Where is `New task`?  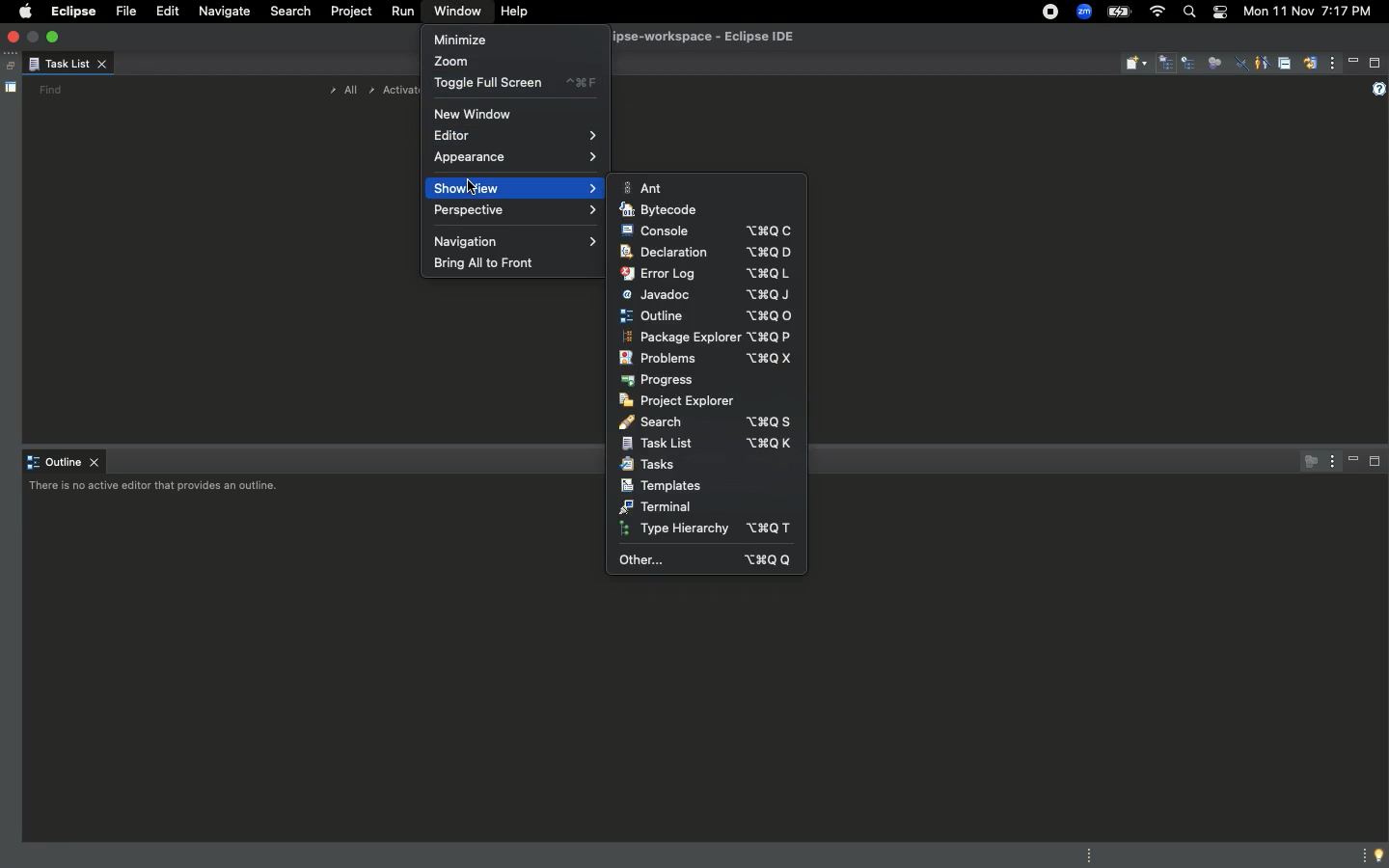
New task is located at coordinates (1136, 64).